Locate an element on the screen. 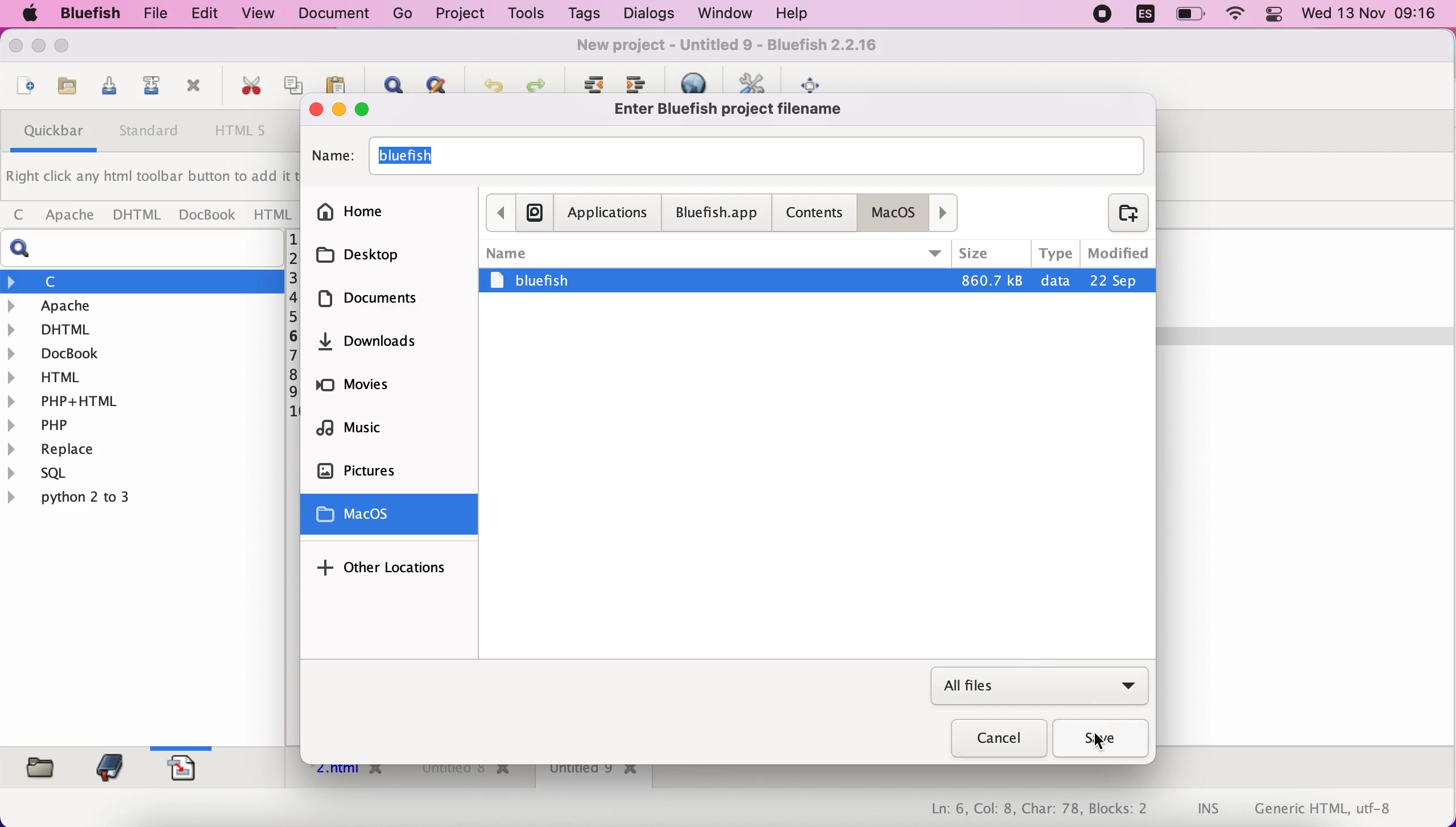 The height and width of the screenshot is (827, 1456). c is located at coordinates (18, 216).